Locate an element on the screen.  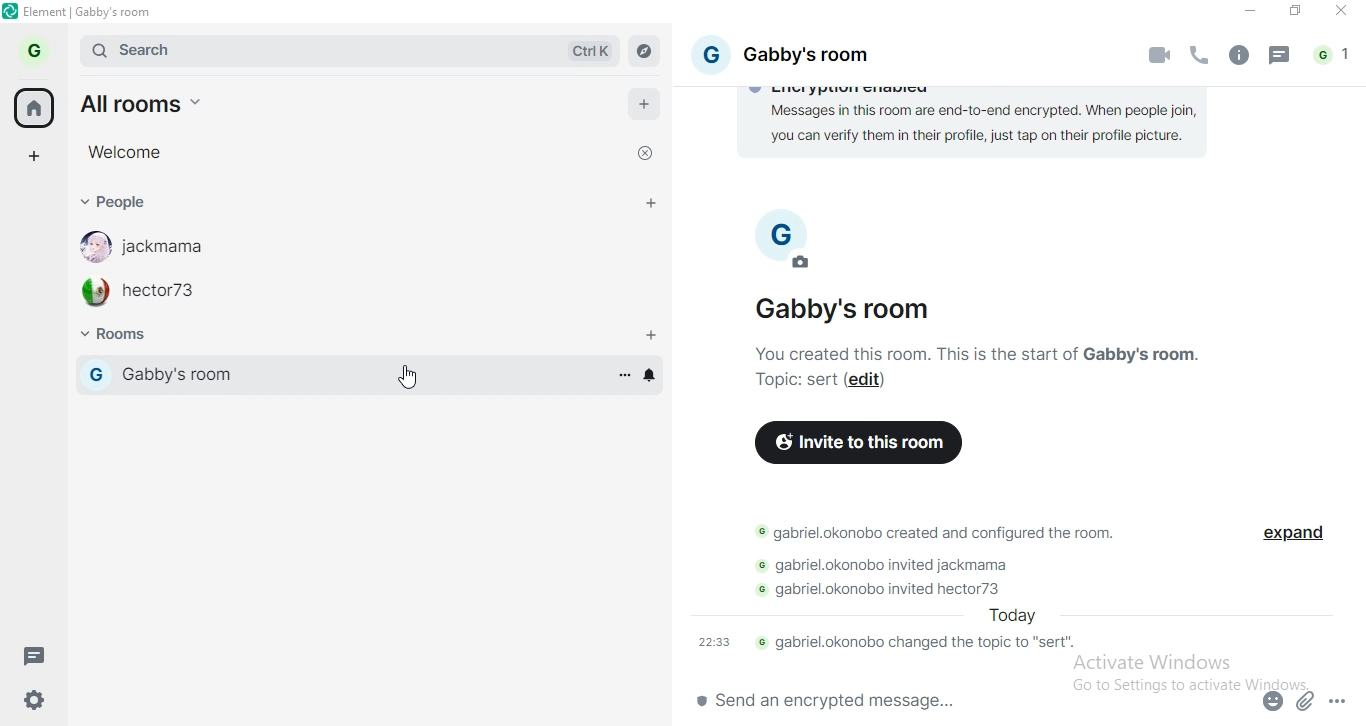
close is located at coordinates (642, 156).